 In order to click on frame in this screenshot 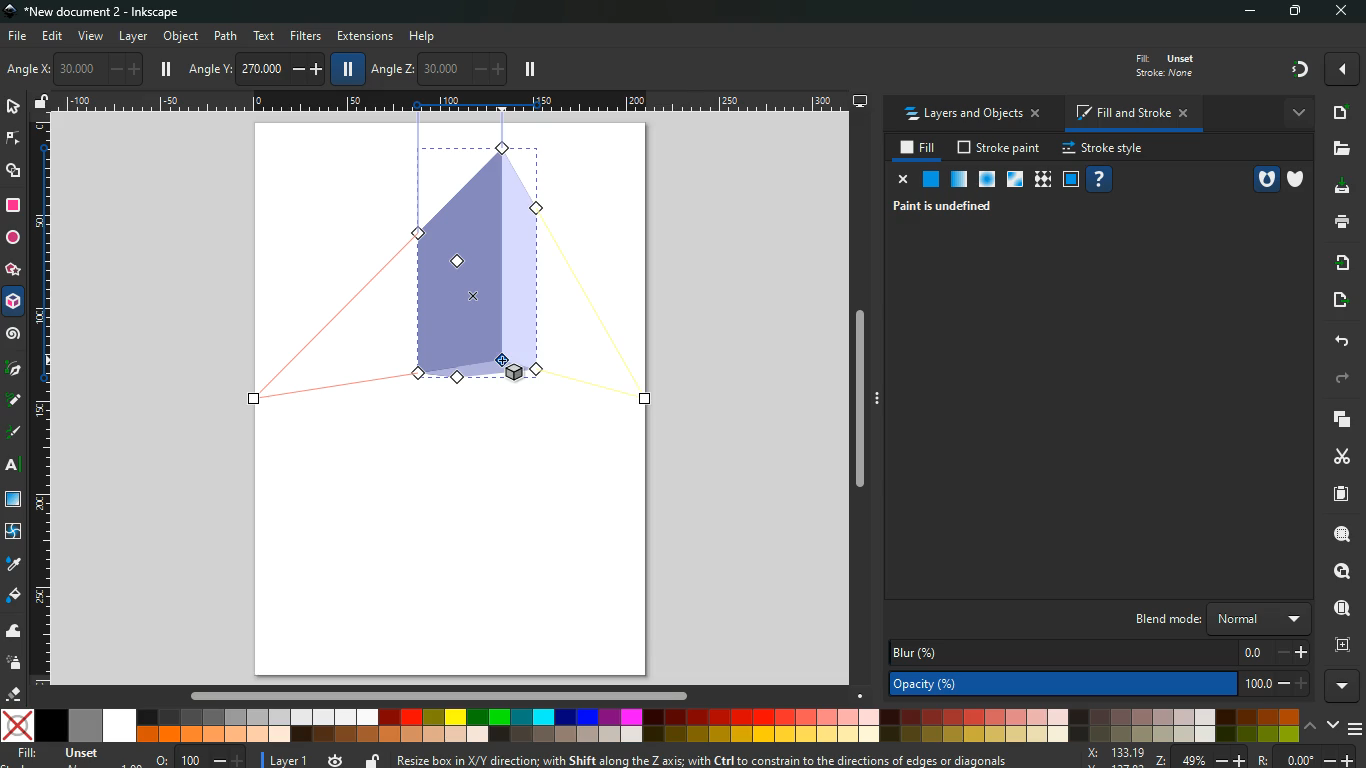, I will do `click(1340, 645)`.